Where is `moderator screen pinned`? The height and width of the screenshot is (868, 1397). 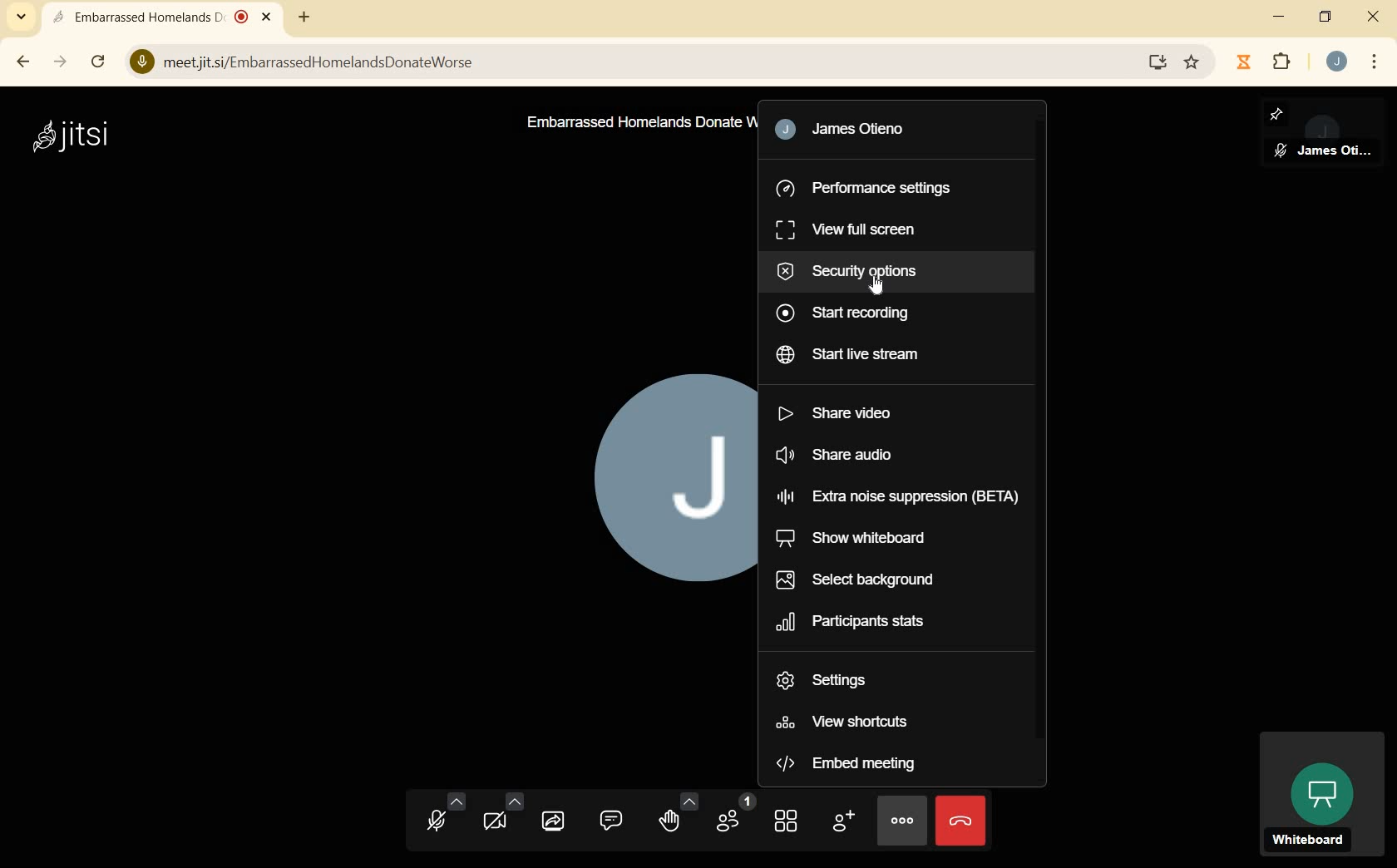 moderator screen pinned is located at coordinates (1322, 135).